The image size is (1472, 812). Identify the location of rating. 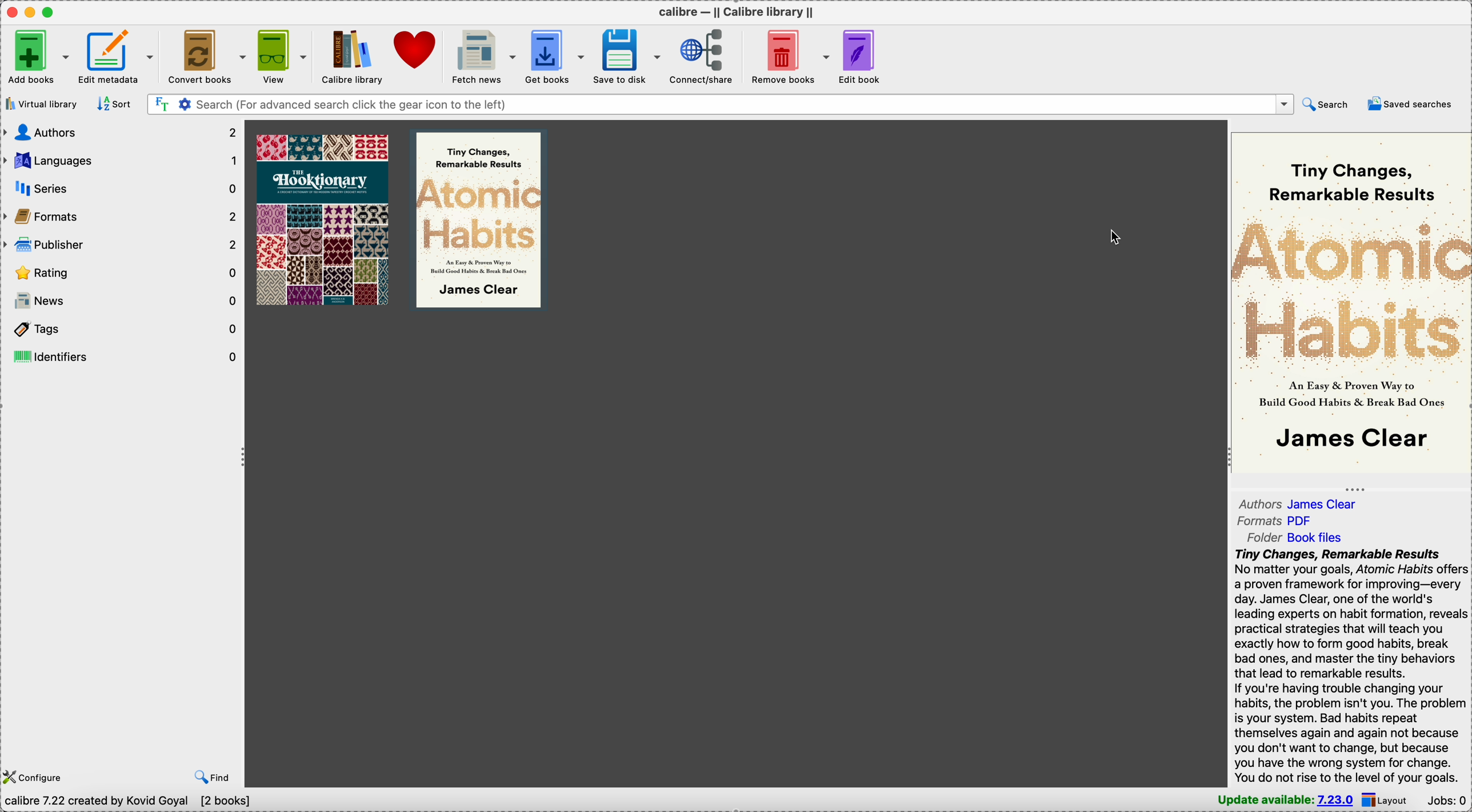
(121, 274).